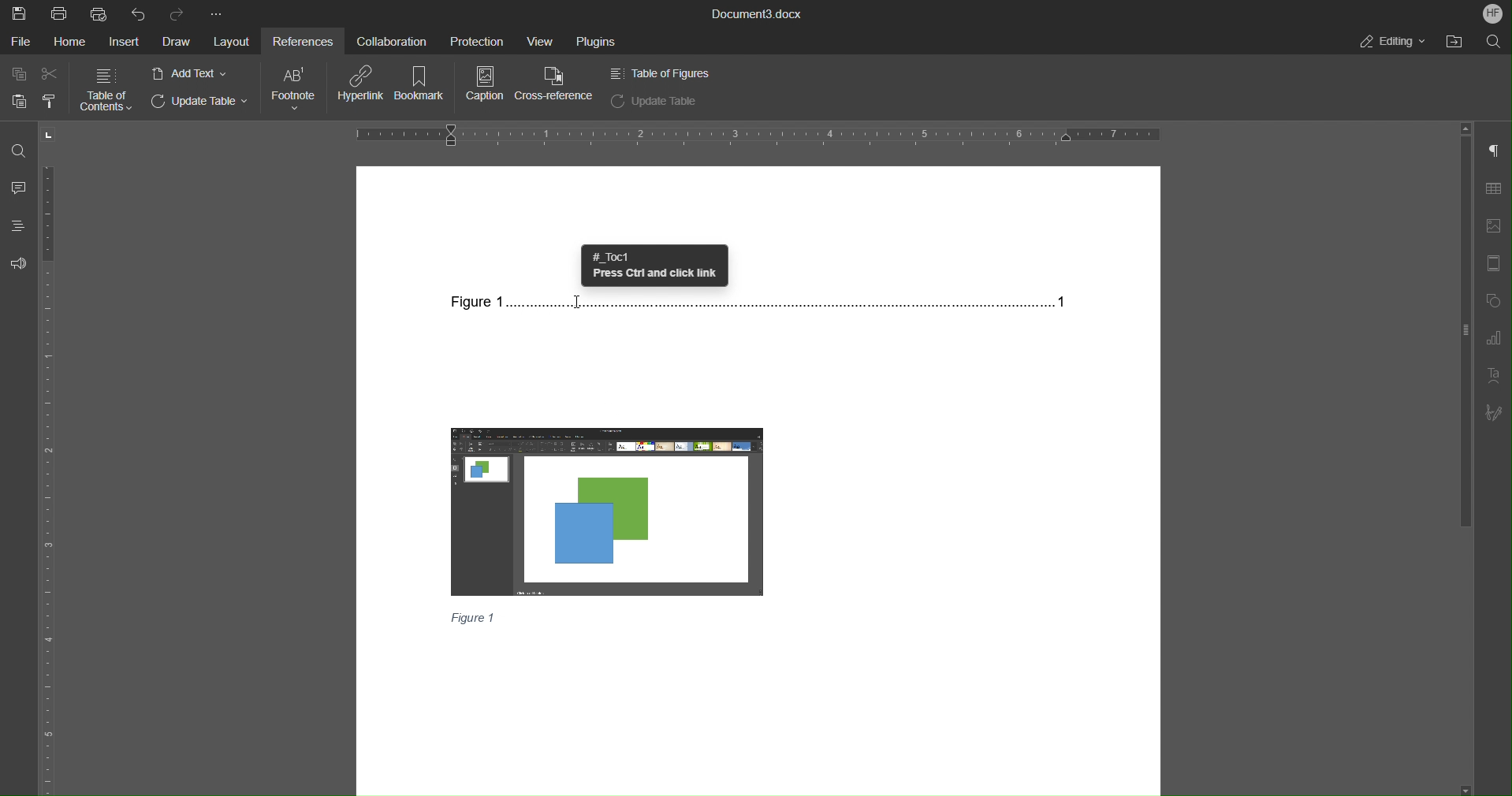 The height and width of the screenshot is (796, 1512). What do you see at coordinates (106, 89) in the screenshot?
I see `Table of Contents` at bounding box center [106, 89].